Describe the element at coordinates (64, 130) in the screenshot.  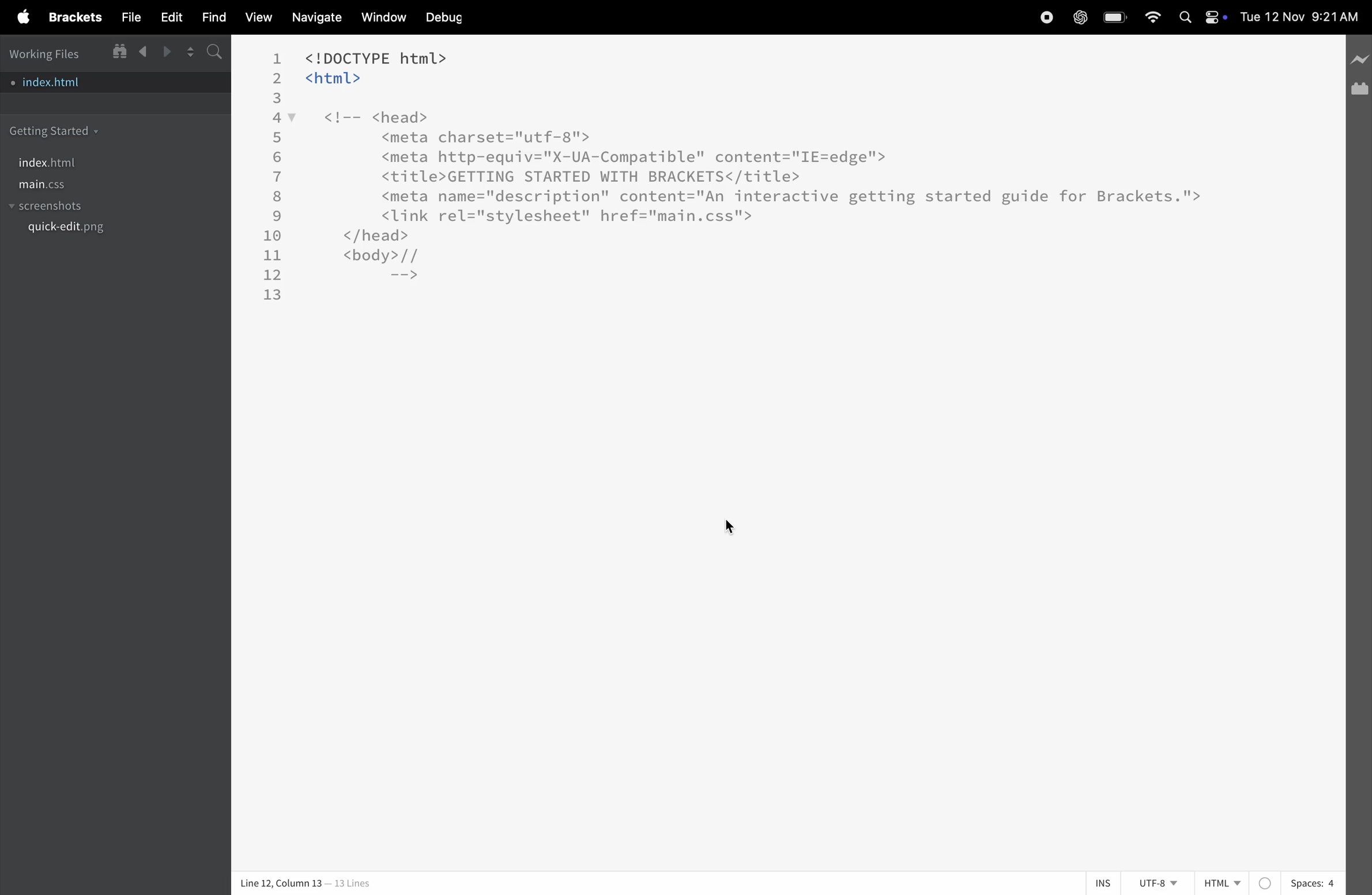
I see `getting started` at that location.